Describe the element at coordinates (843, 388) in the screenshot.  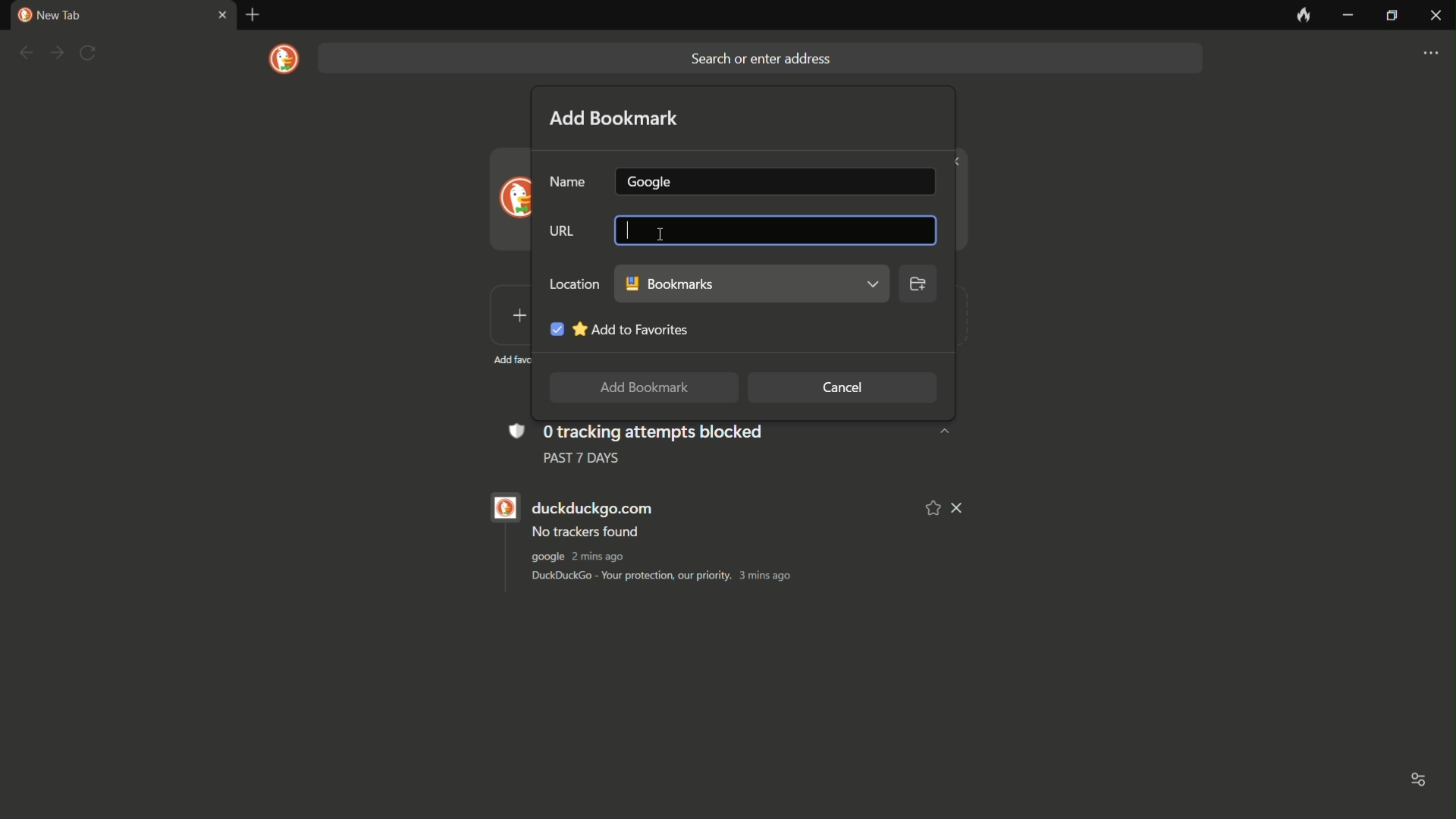
I see `cancel button` at that location.